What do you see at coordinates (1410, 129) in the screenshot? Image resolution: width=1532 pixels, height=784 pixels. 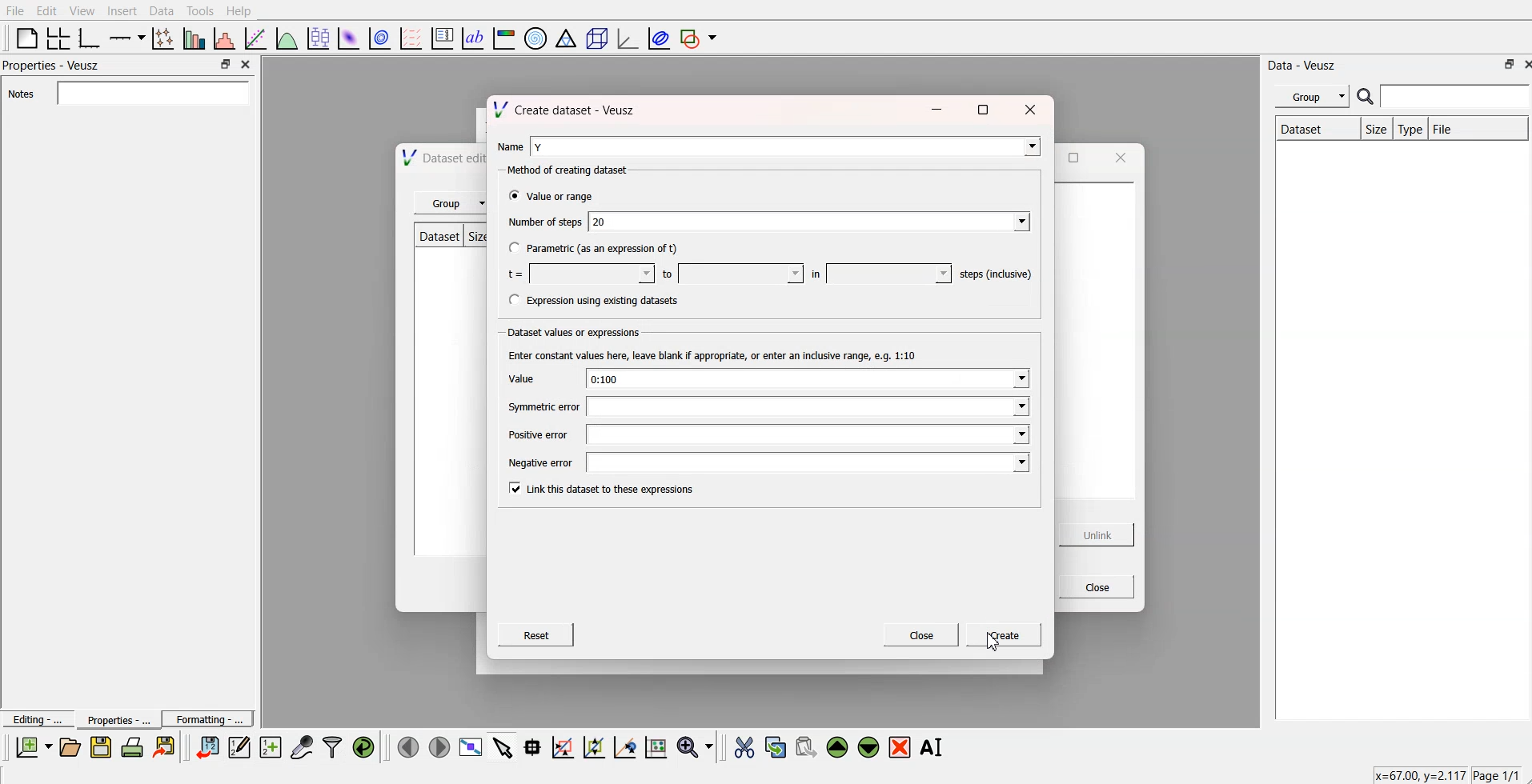 I see `Type` at bounding box center [1410, 129].